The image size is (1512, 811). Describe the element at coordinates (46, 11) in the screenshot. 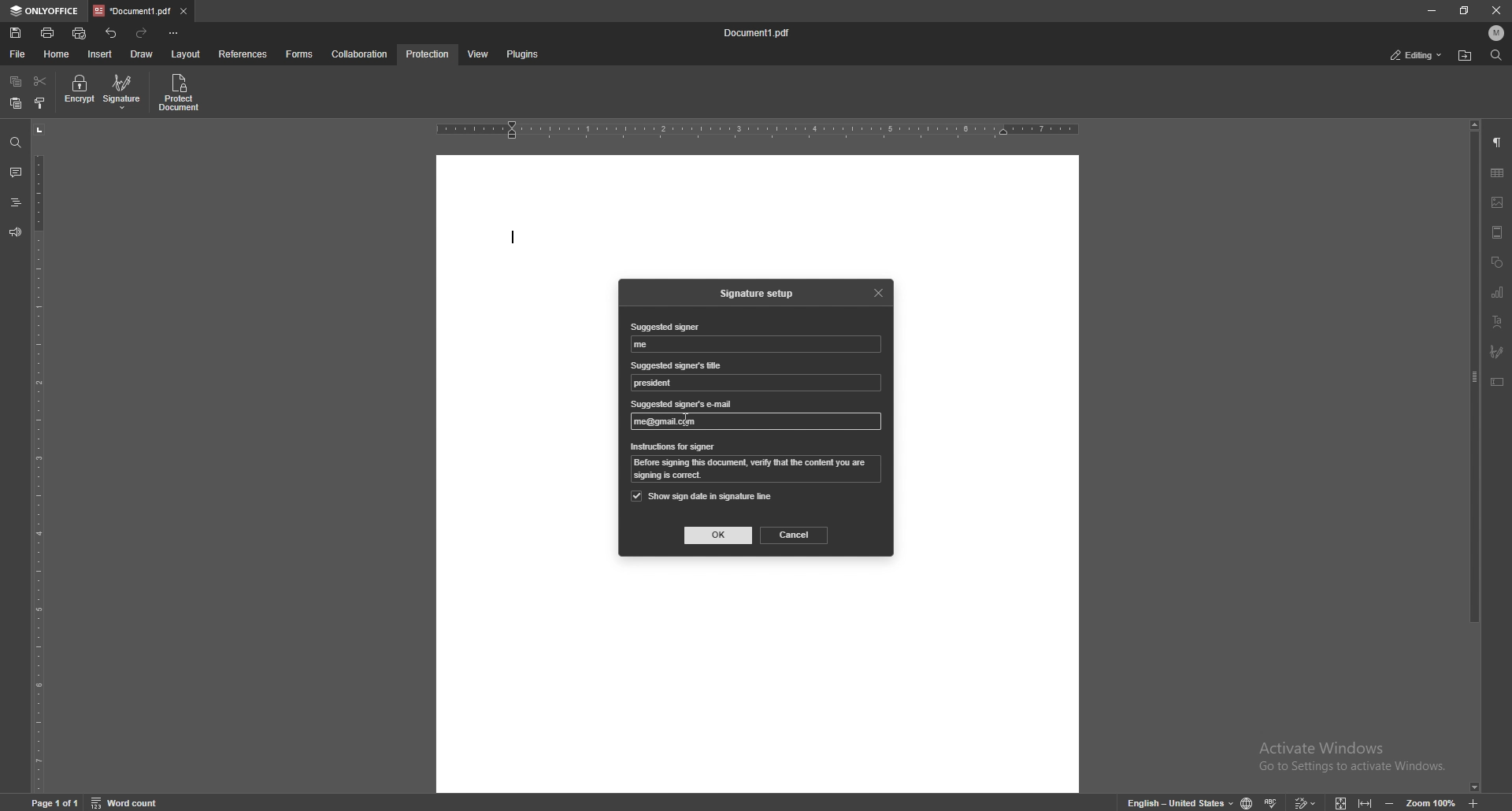

I see `onlyoffice` at that location.